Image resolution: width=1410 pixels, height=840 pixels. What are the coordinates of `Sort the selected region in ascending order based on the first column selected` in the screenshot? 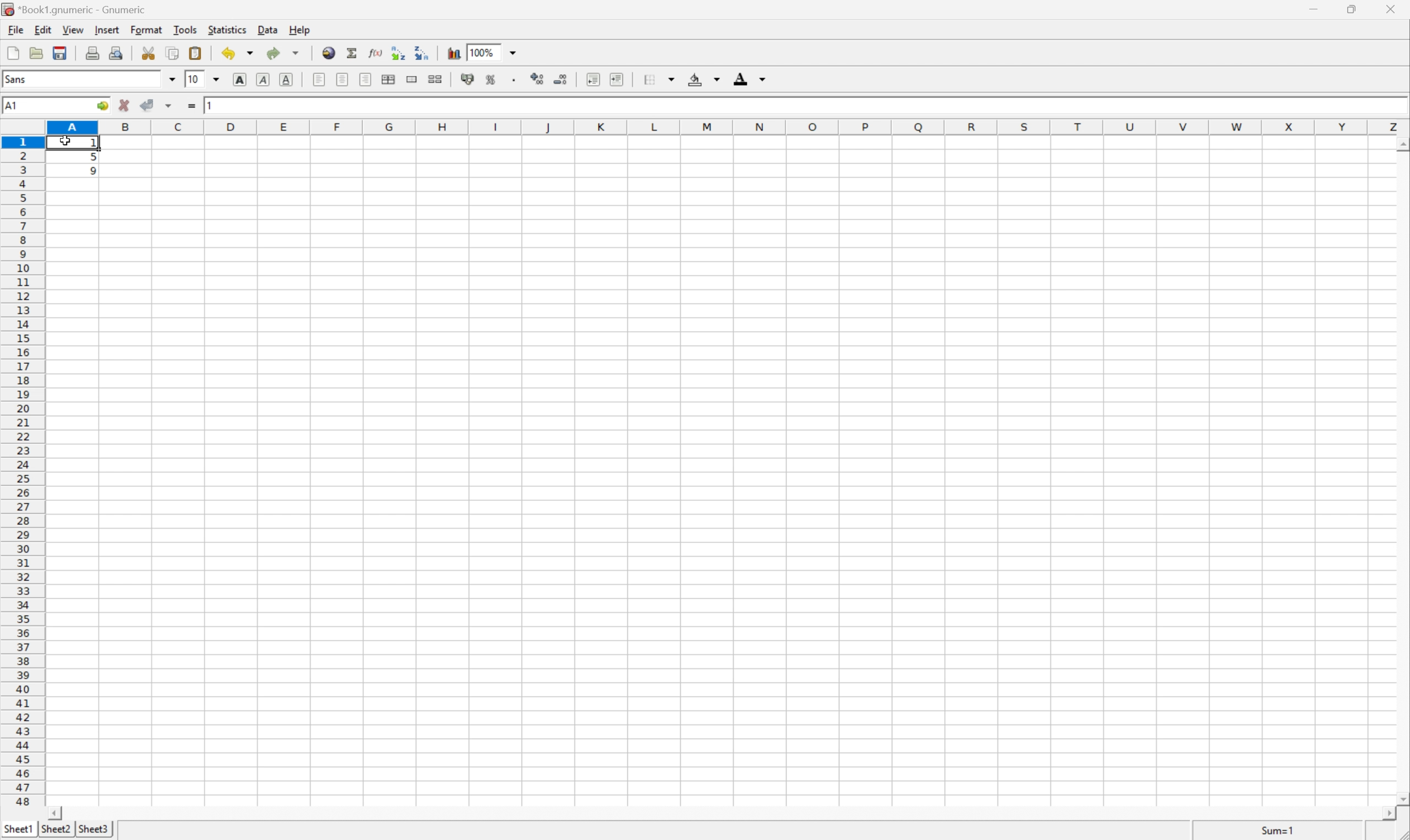 It's located at (399, 52).